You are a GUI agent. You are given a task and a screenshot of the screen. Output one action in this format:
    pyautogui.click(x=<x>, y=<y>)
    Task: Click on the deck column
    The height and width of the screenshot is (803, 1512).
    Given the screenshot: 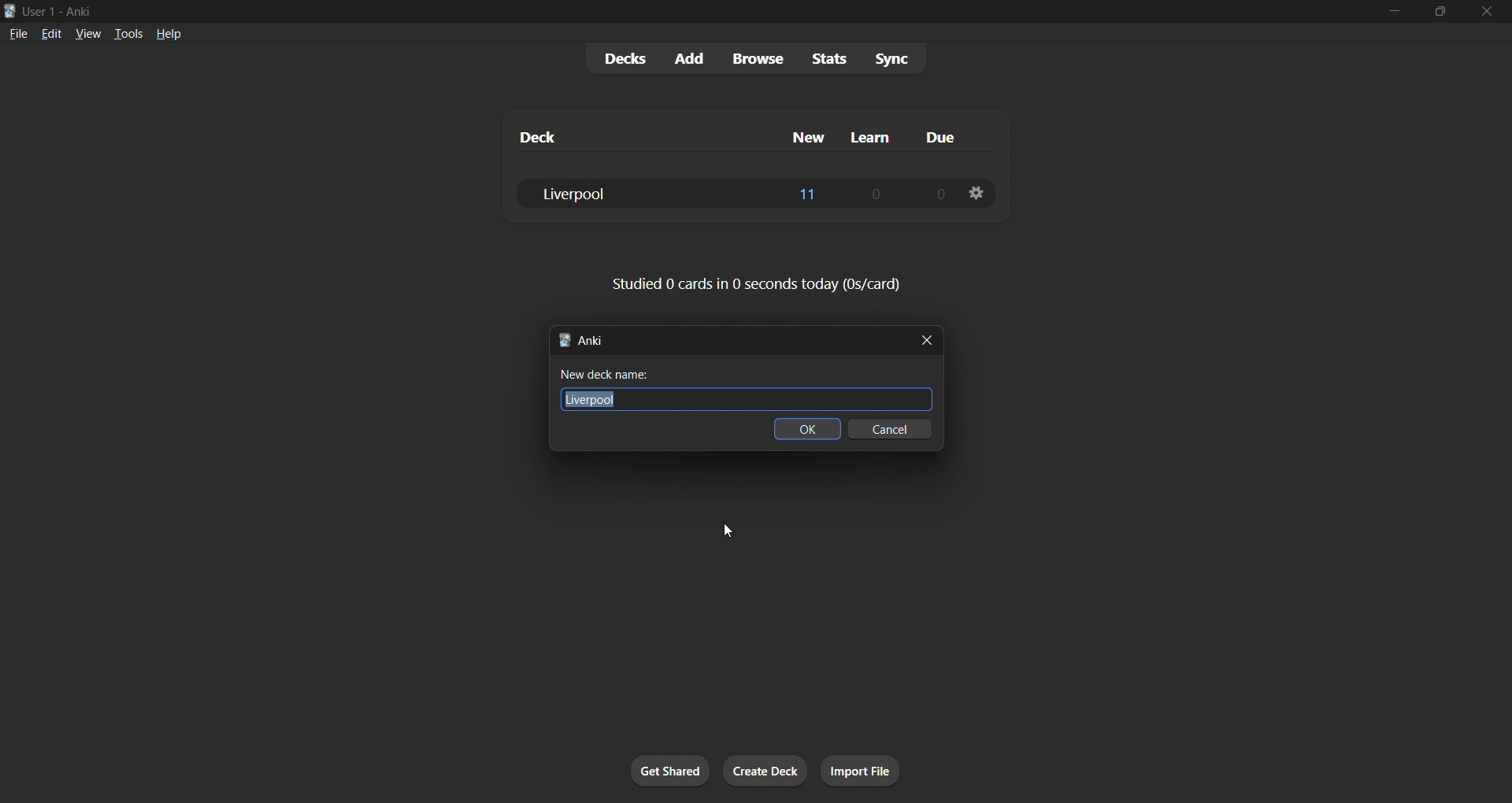 What is the action you would take?
    pyautogui.click(x=636, y=137)
    